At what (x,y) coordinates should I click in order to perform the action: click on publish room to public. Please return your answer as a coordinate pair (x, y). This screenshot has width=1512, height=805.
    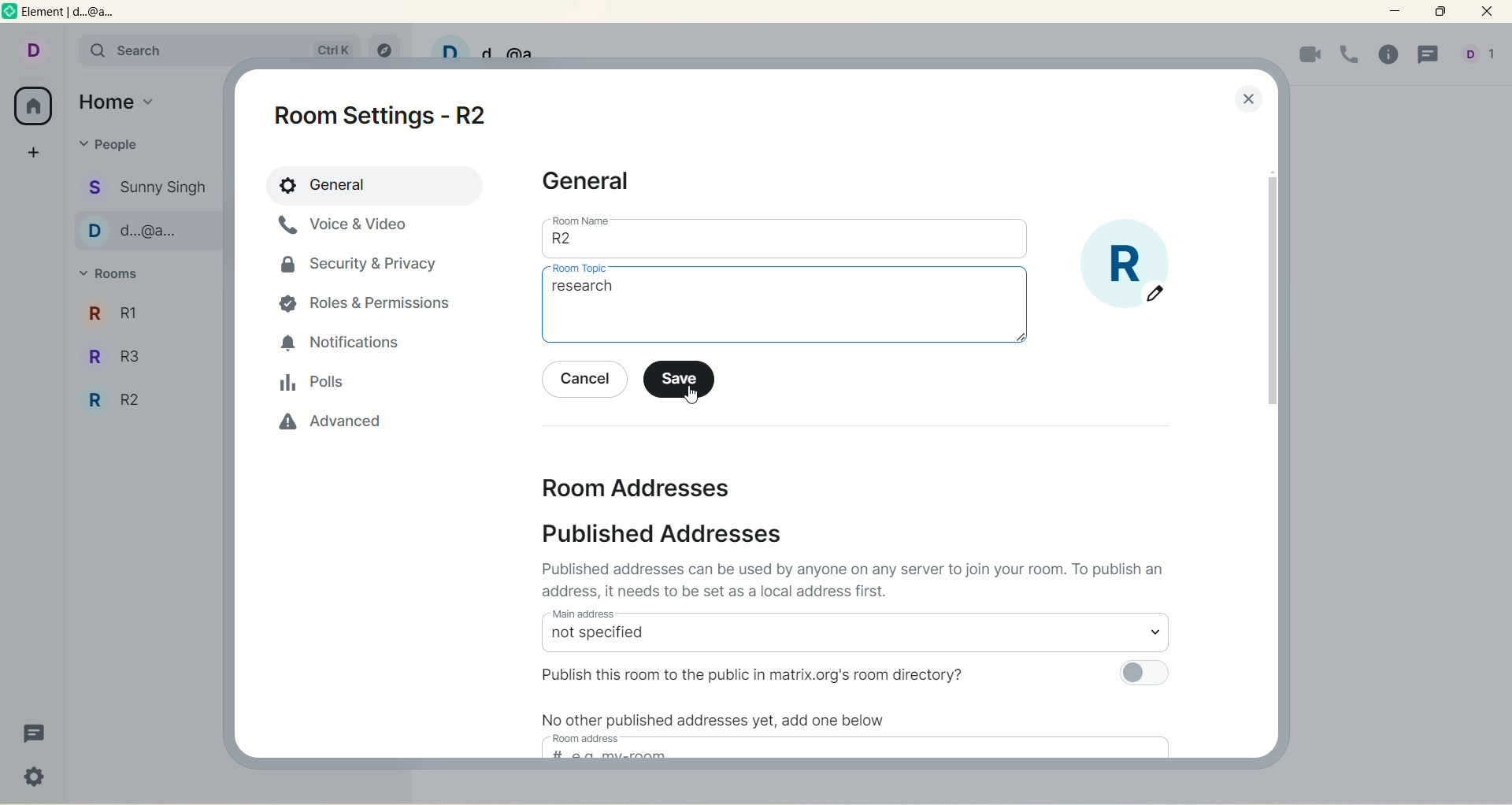
    Looking at the image, I should click on (758, 673).